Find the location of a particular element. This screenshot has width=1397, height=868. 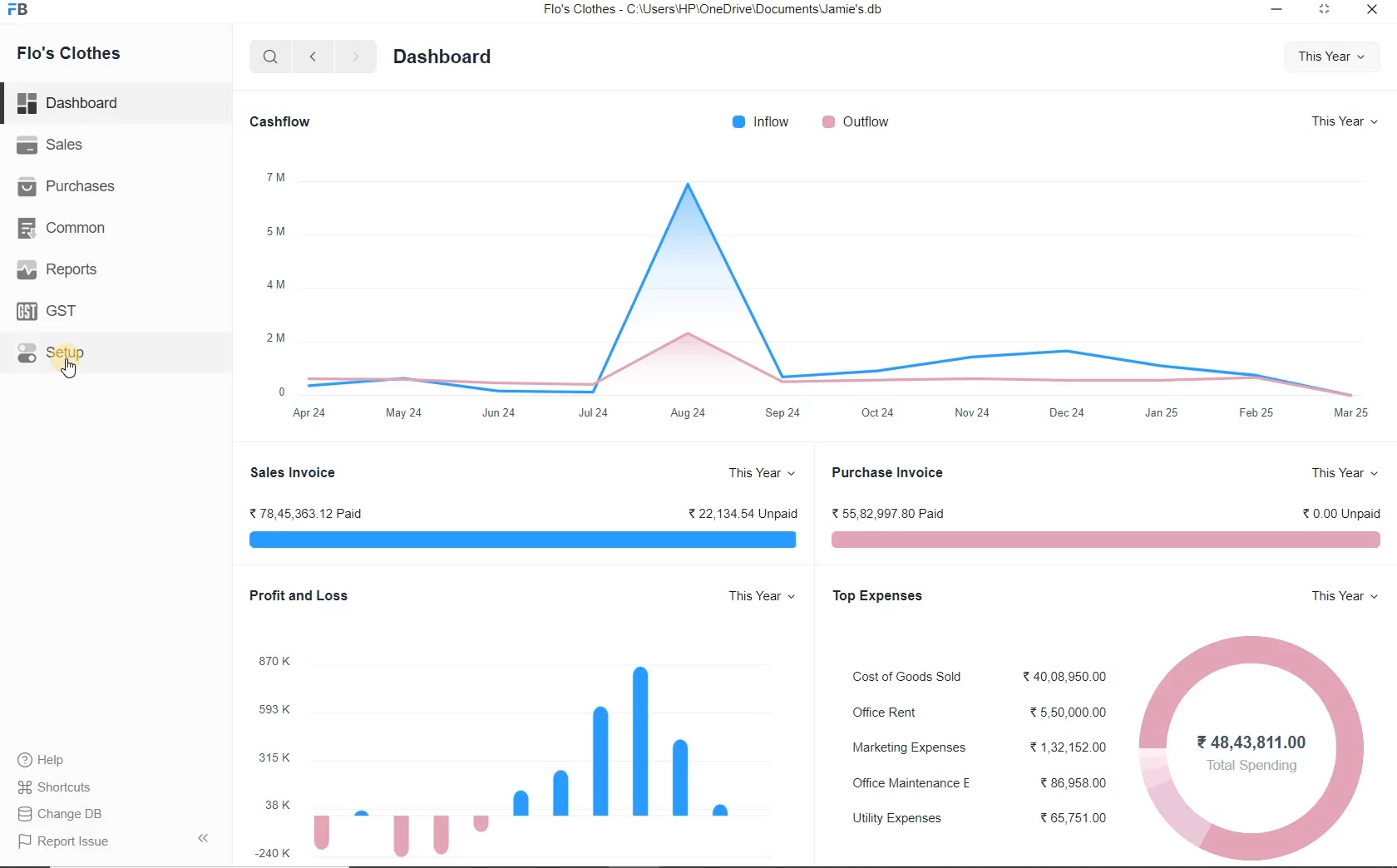

Vertical bar with month is located at coordinates (278, 282).